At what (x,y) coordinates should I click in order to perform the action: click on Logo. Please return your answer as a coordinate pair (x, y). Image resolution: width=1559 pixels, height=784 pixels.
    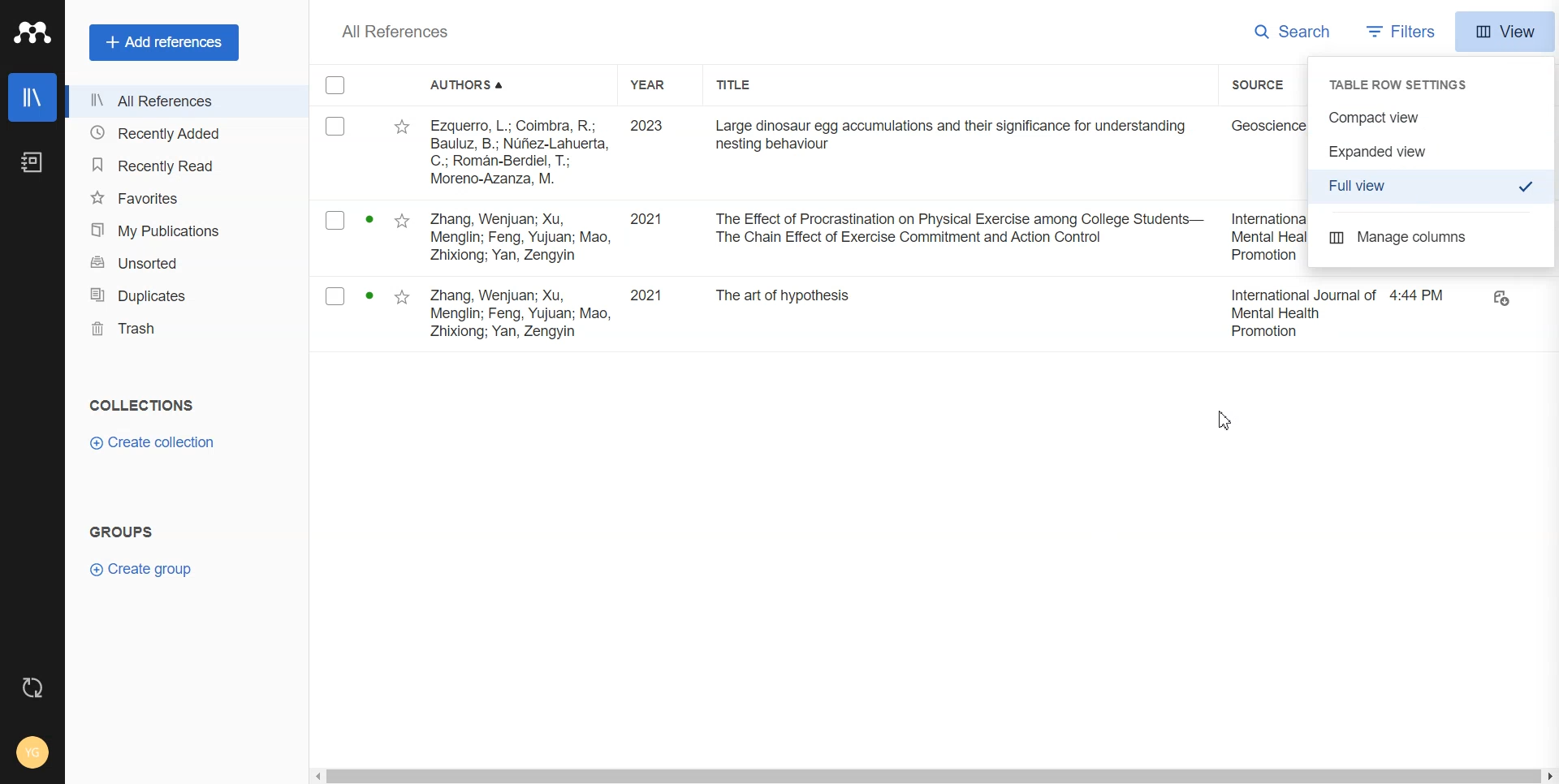
    Looking at the image, I should click on (32, 32).